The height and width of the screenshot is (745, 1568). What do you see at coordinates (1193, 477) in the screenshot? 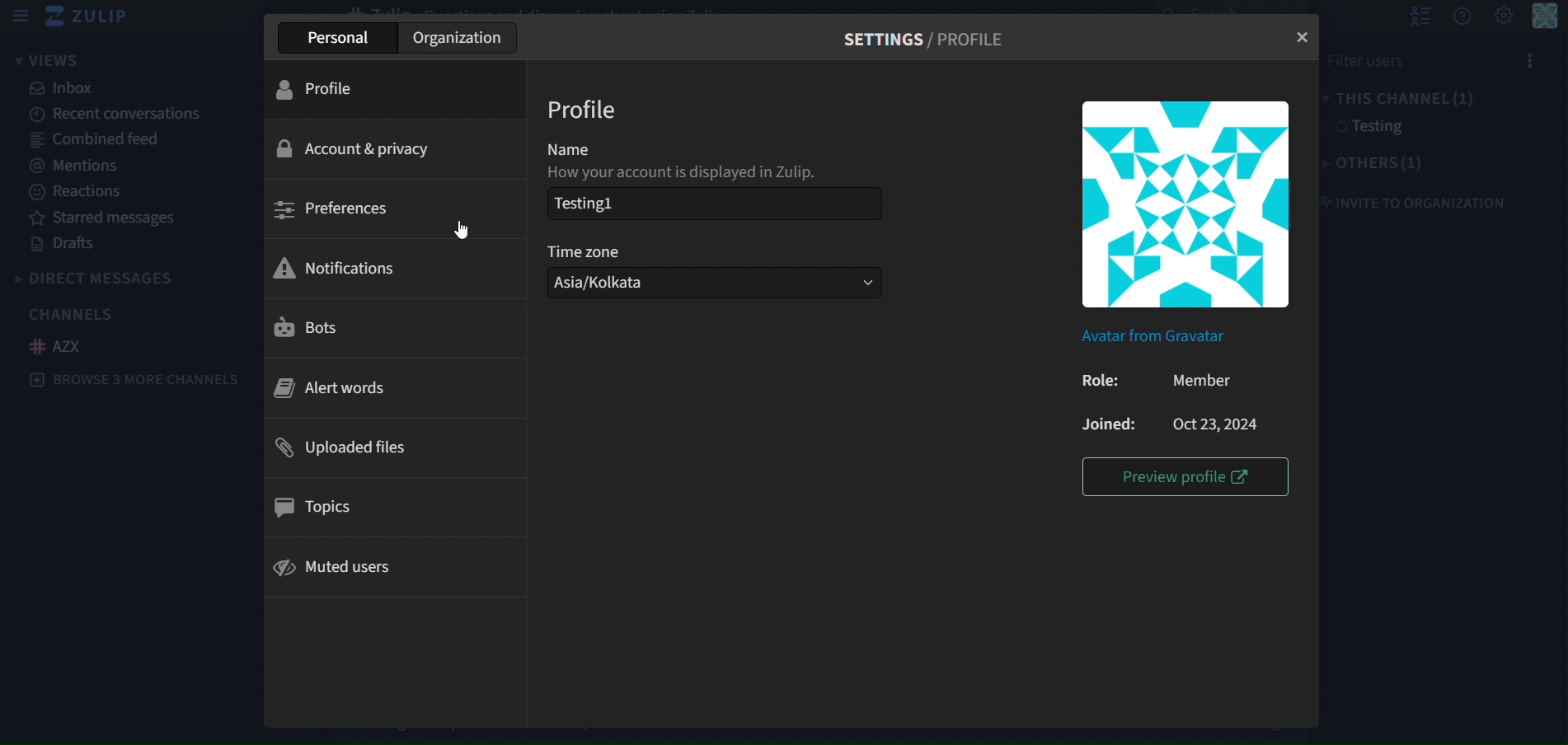
I see `preview profile` at bounding box center [1193, 477].